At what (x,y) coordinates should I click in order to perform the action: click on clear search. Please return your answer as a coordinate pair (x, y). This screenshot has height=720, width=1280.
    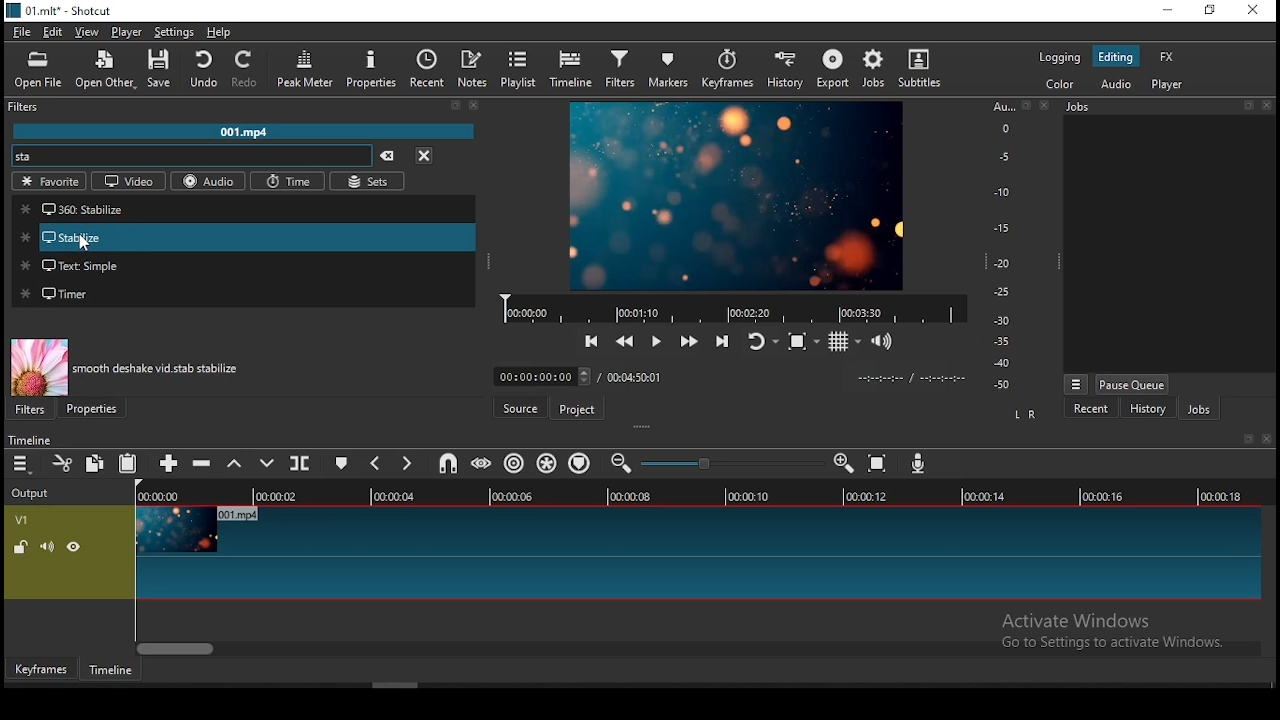
    Looking at the image, I should click on (388, 154).